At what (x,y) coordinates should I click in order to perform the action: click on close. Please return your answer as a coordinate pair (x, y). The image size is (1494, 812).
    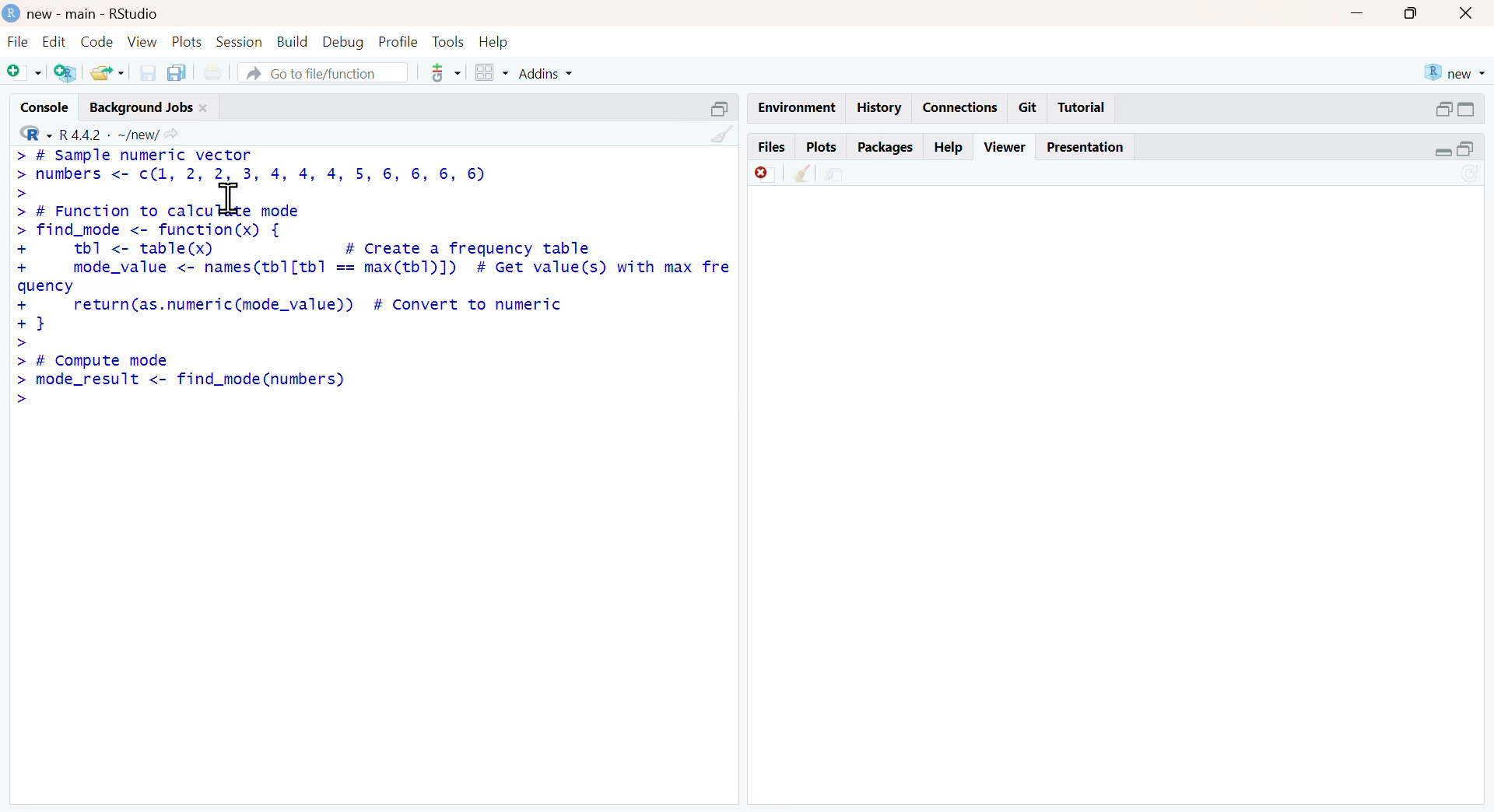
    Looking at the image, I should click on (1468, 12).